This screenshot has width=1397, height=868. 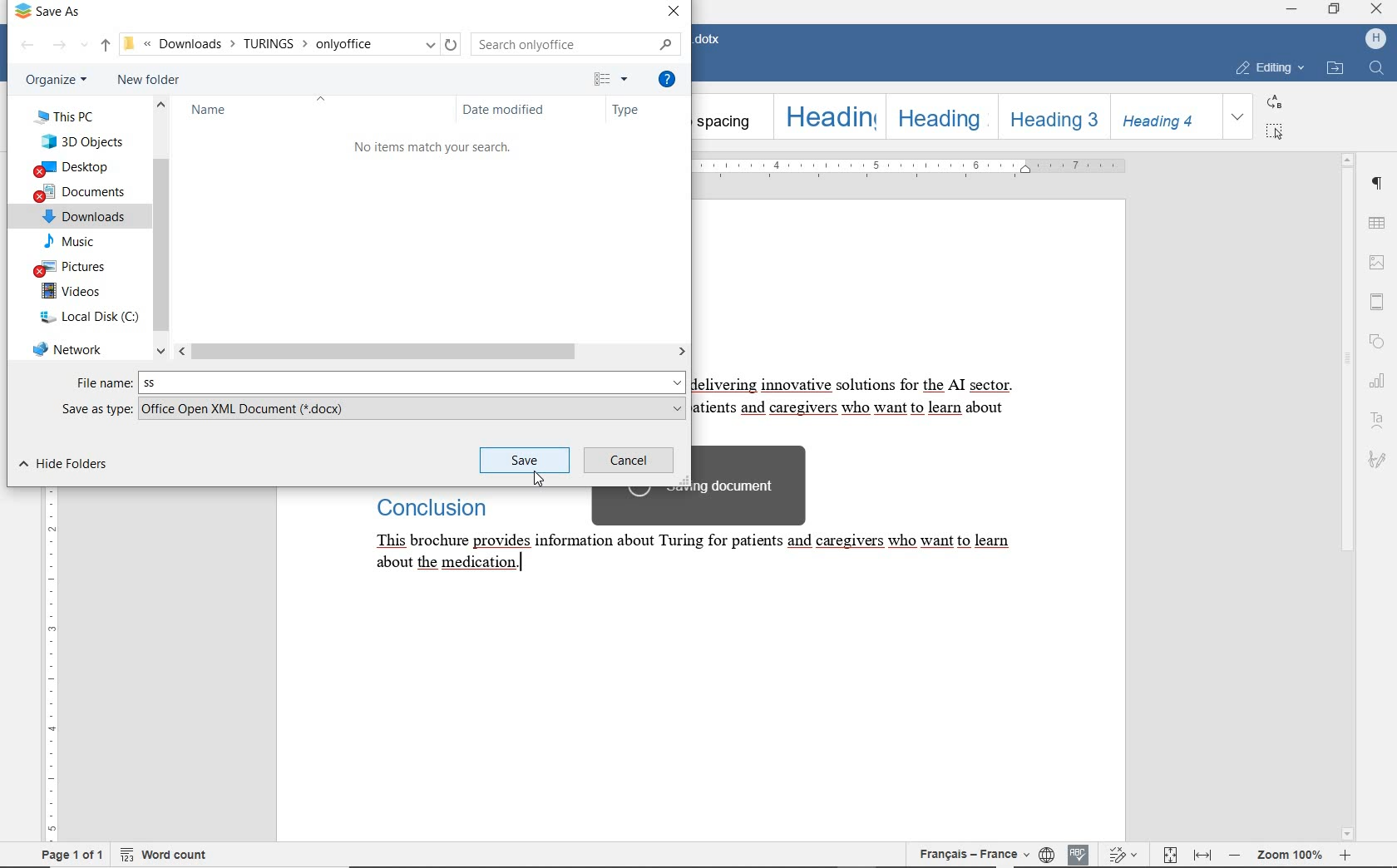 What do you see at coordinates (71, 347) in the screenshot?
I see `NETWORK` at bounding box center [71, 347].